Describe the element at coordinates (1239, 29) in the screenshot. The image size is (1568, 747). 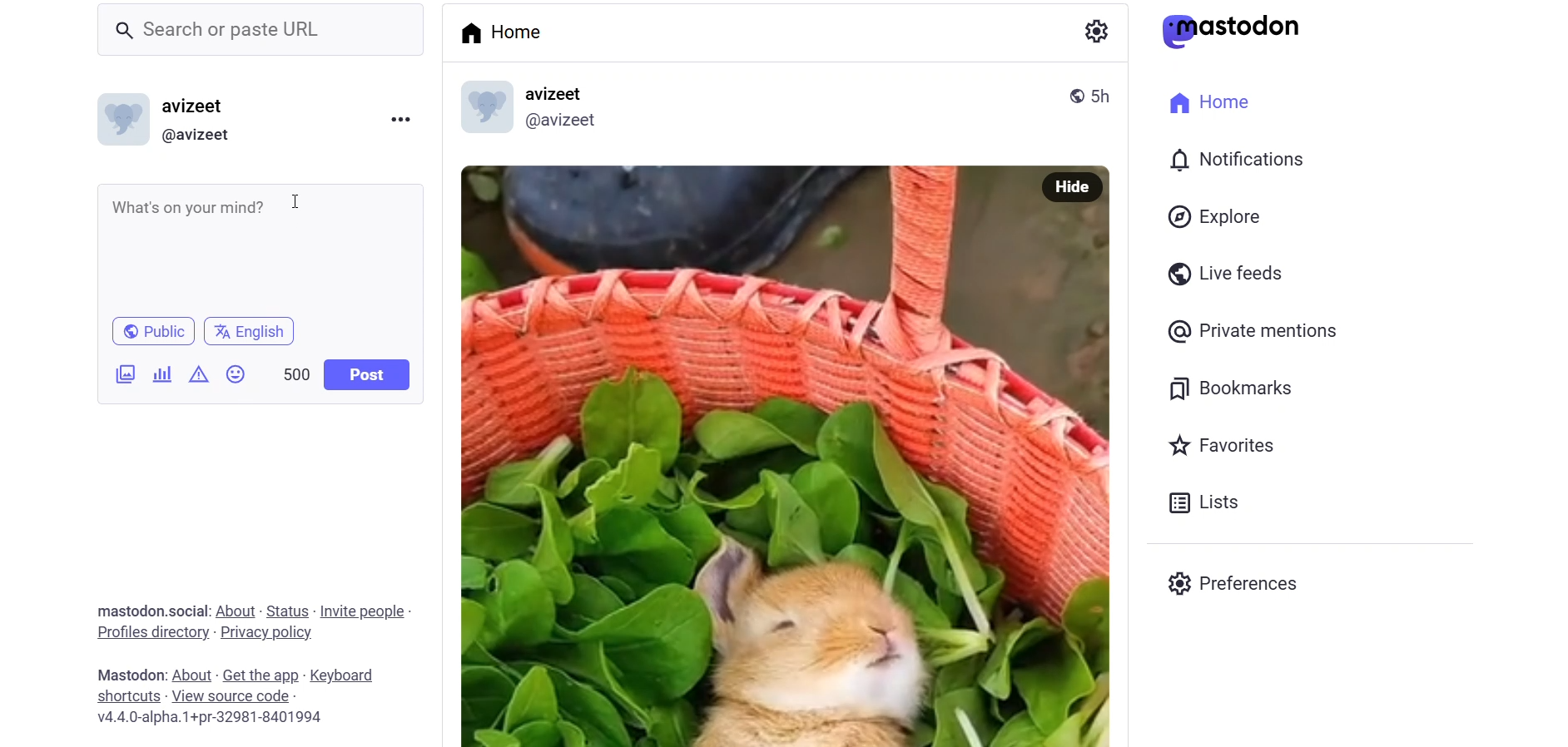
I see `mastodon` at that location.